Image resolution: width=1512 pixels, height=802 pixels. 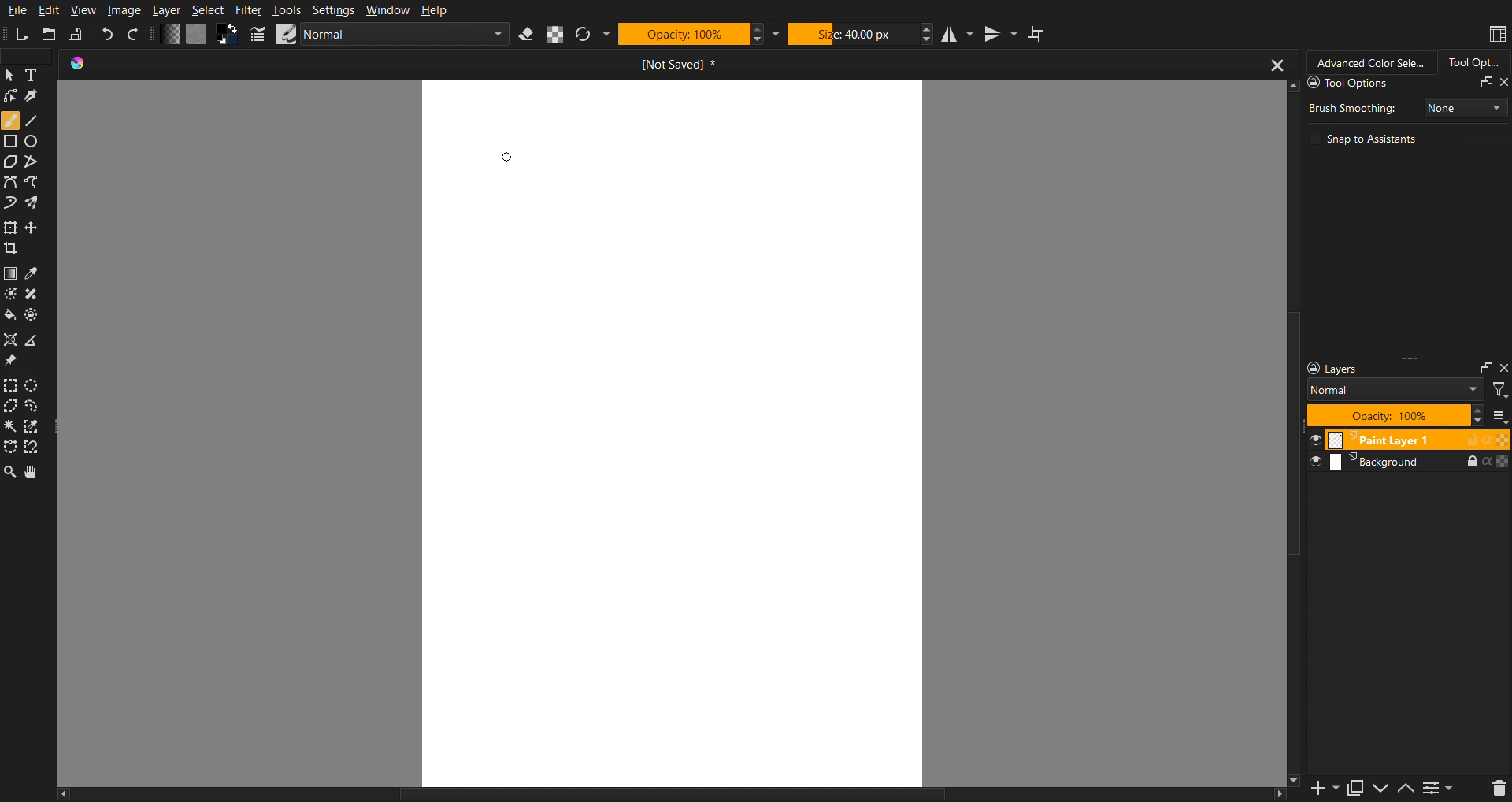 What do you see at coordinates (959, 34) in the screenshot?
I see `Horizontal Mirror` at bounding box center [959, 34].